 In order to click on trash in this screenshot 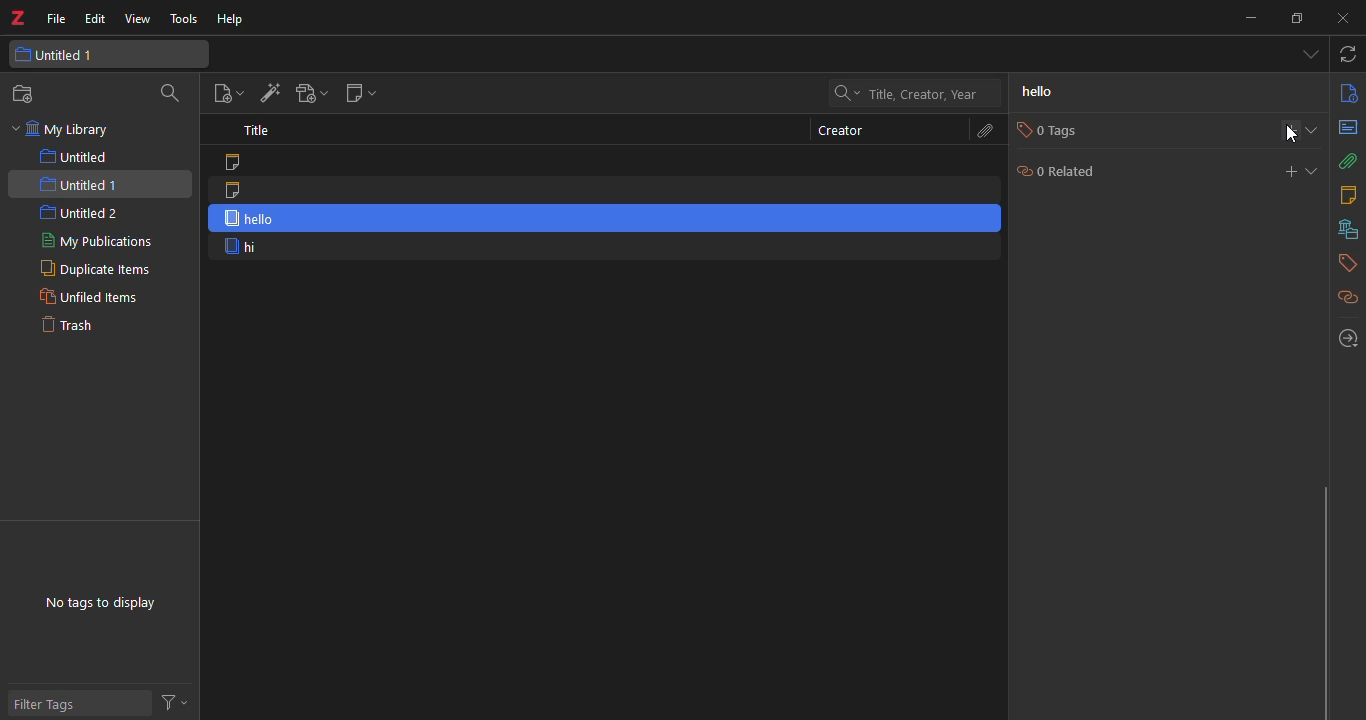, I will do `click(79, 329)`.